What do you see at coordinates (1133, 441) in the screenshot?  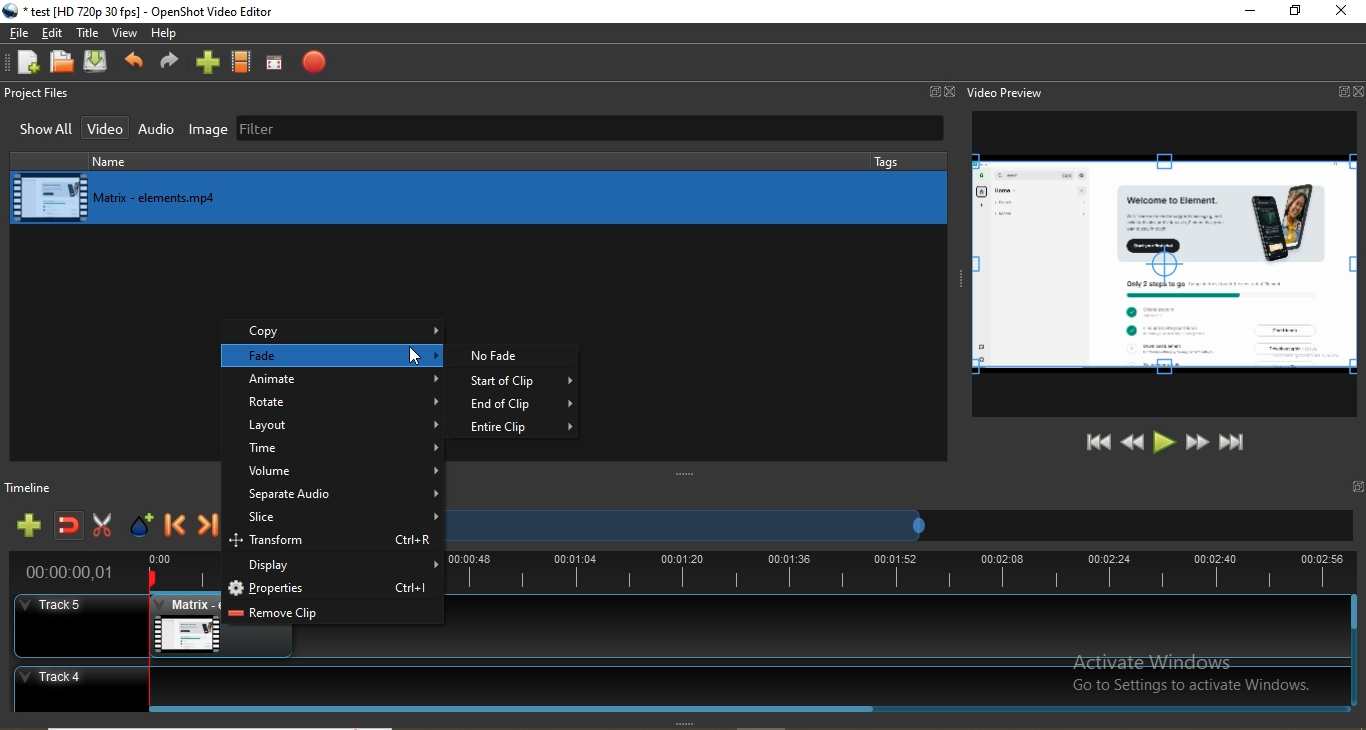 I see `Rewind ` at bounding box center [1133, 441].